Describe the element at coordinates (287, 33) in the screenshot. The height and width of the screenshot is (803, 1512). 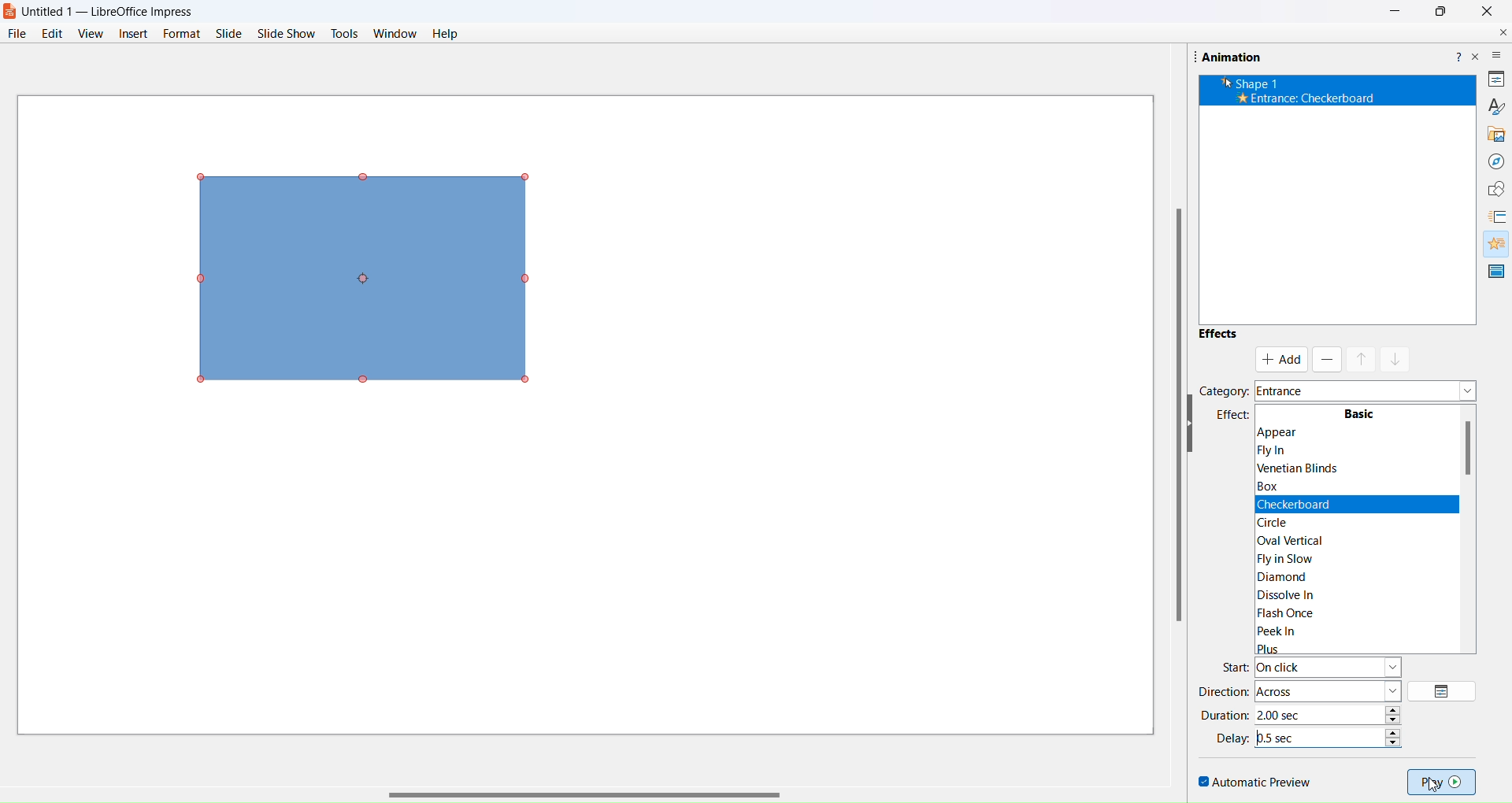
I see `slide show` at that location.